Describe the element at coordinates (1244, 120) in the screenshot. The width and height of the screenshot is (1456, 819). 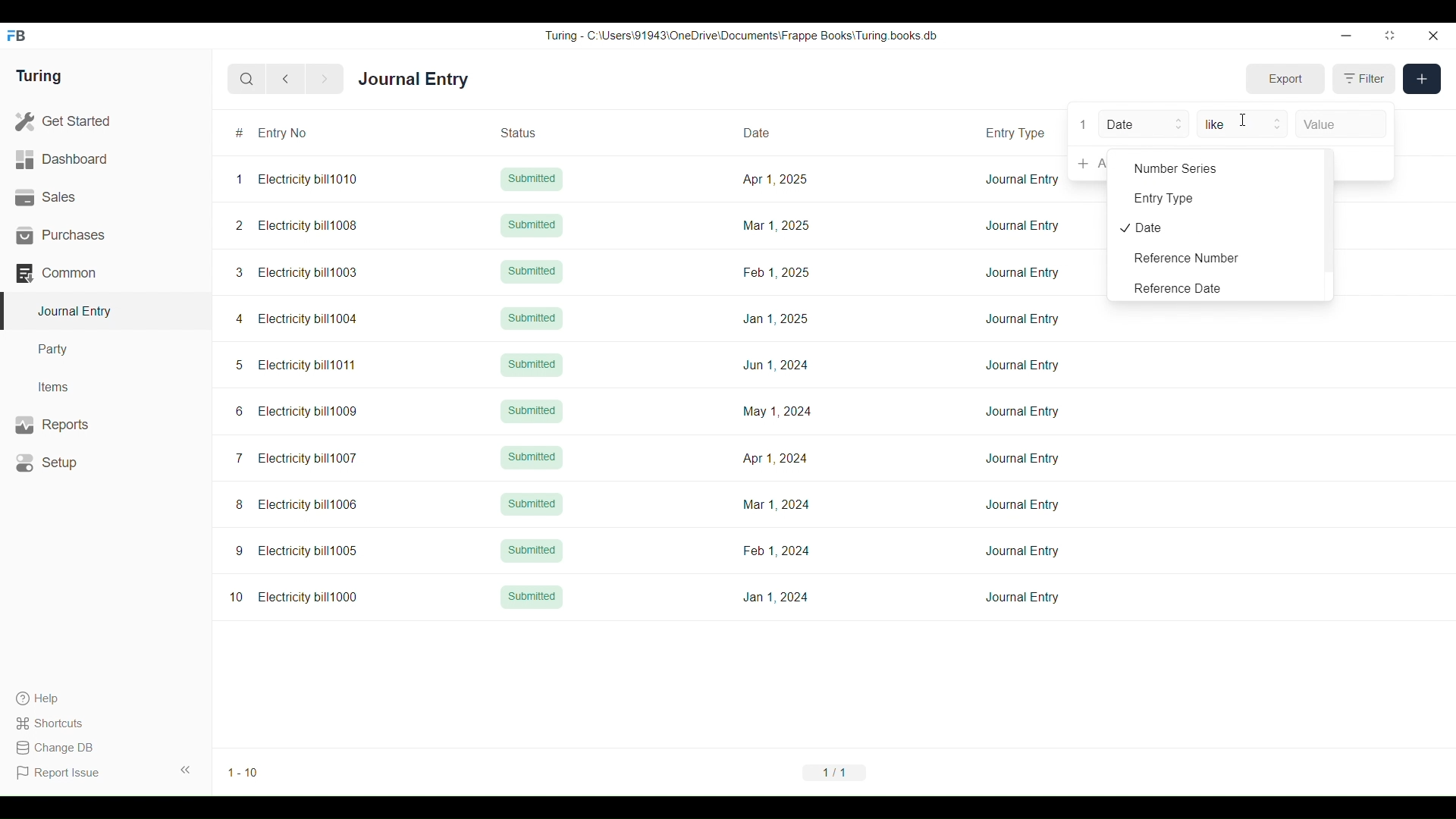
I see `Cursor` at that location.